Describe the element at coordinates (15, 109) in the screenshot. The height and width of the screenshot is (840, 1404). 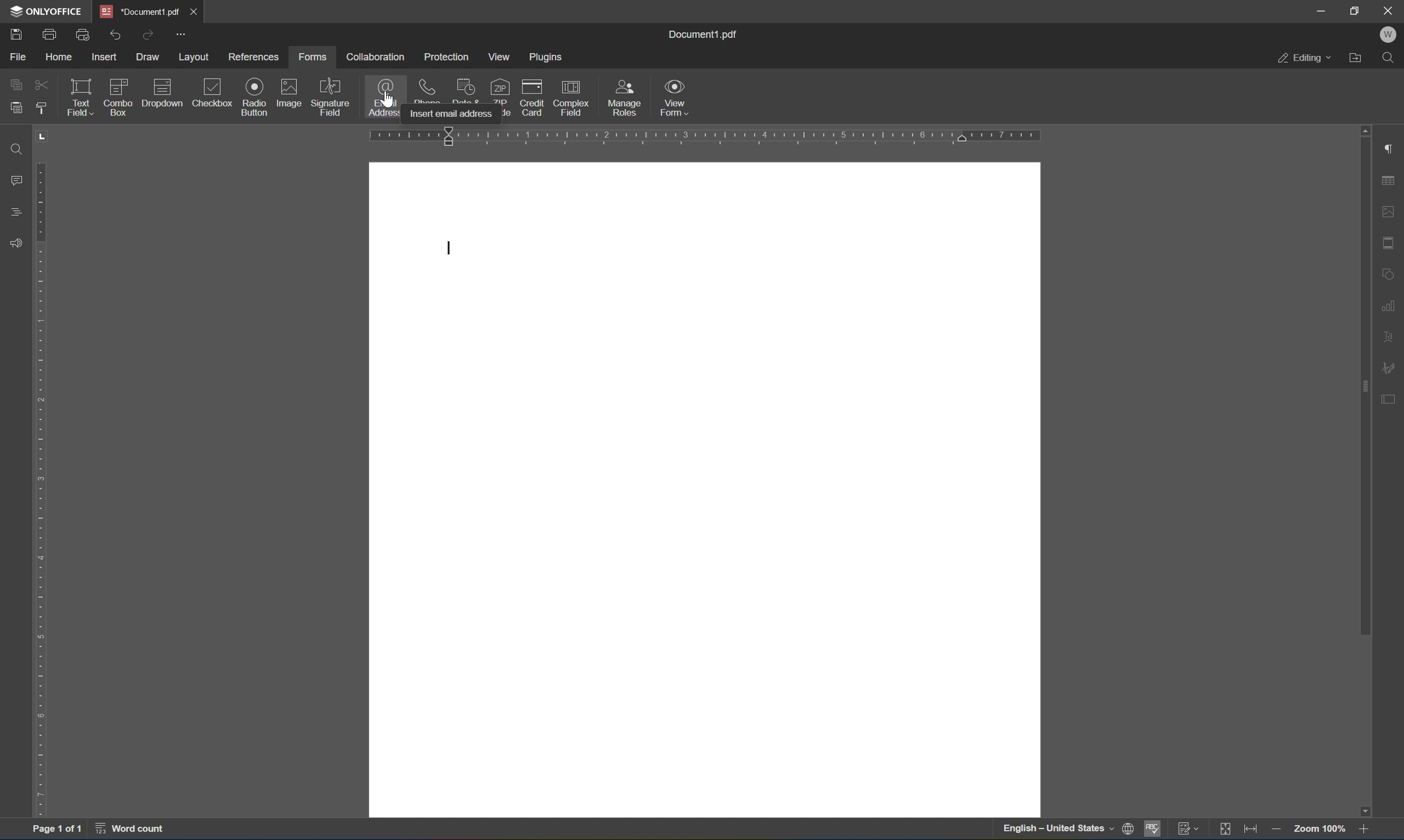
I see `paste` at that location.